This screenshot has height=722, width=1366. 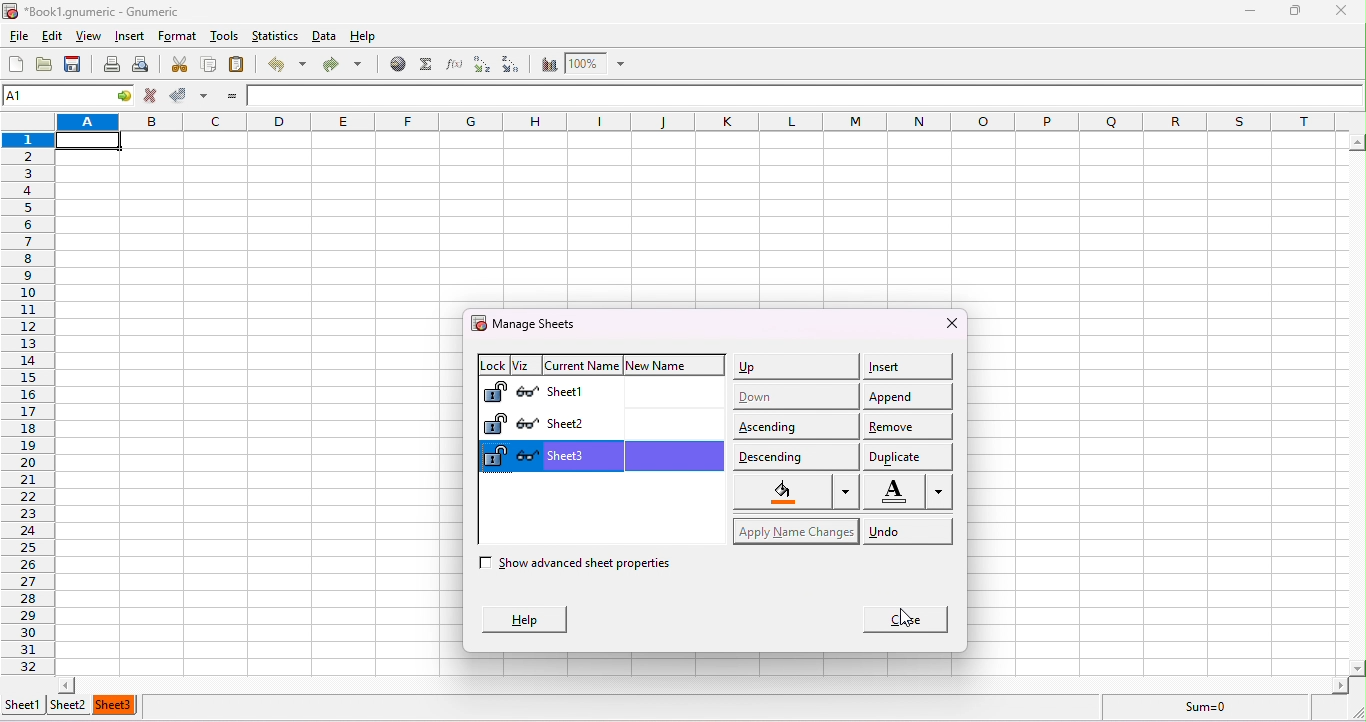 I want to click on ascending, so click(x=794, y=423).